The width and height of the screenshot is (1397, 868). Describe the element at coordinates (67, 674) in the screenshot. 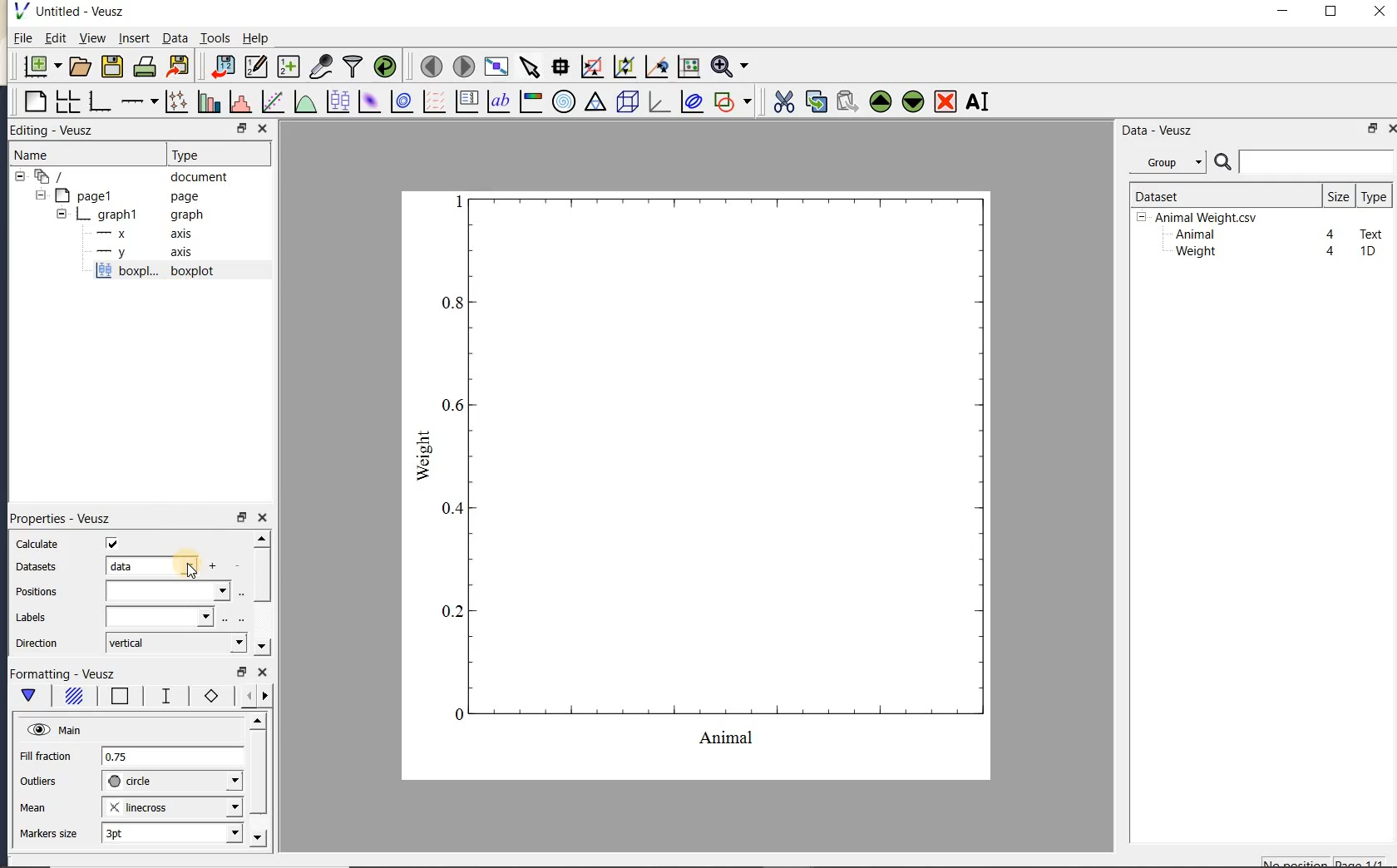

I see `Formatting - Veusz` at that location.